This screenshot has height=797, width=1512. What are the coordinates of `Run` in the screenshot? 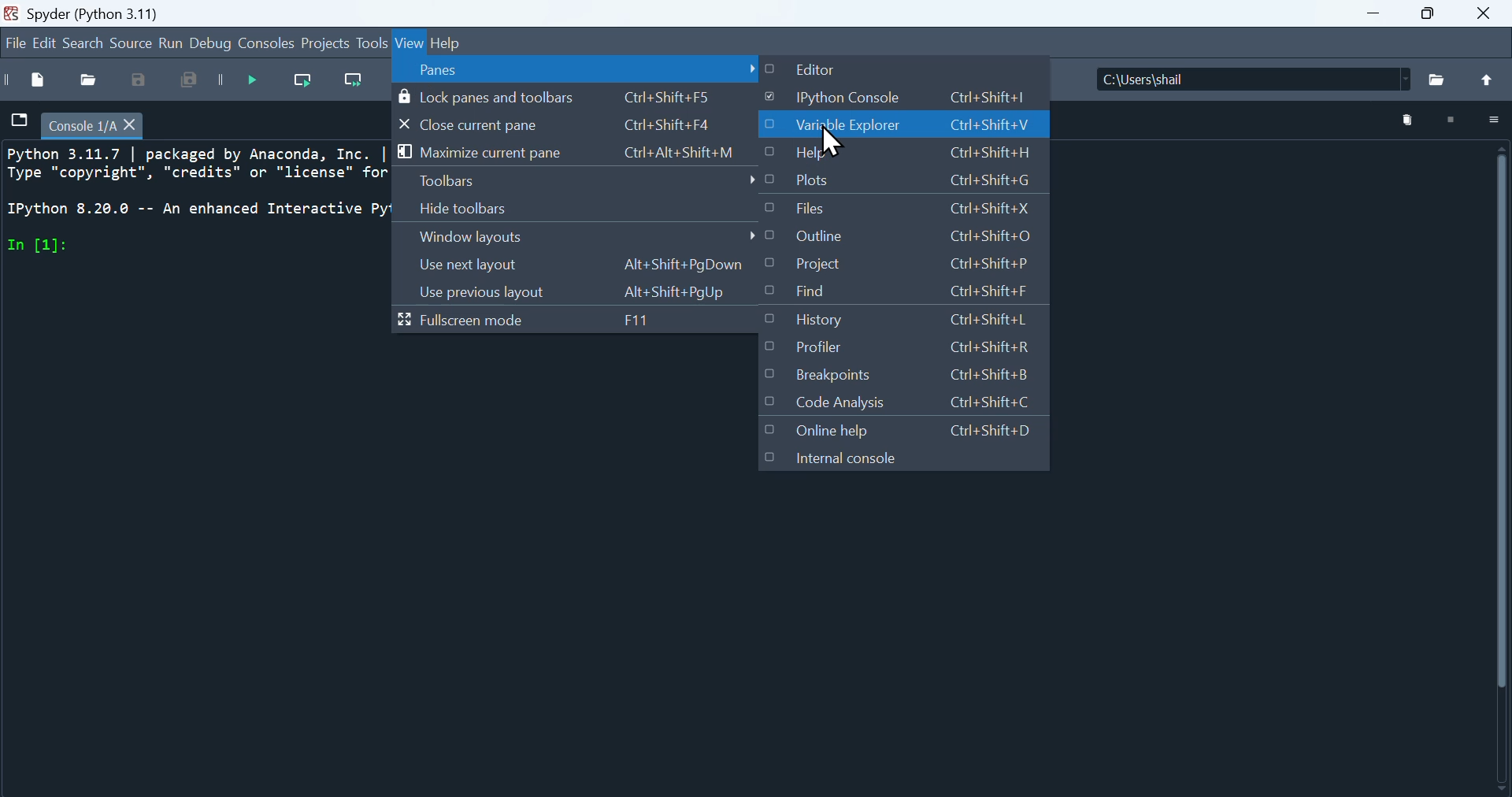 It's located at (173, 45).